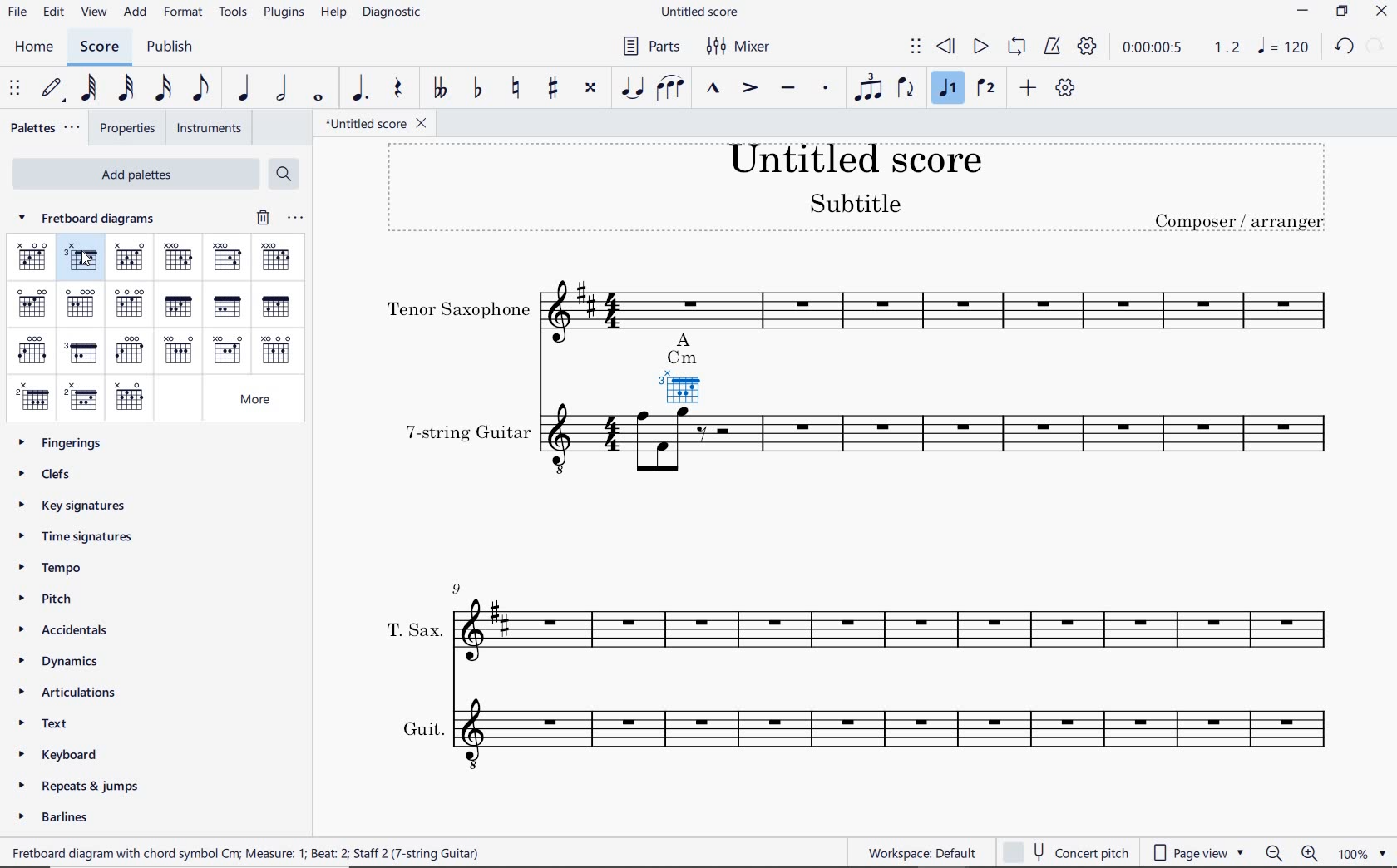  What do you see at coordinates (35, 47) in the screenshot?
I see `HOME` at bounding box center [35, 47].